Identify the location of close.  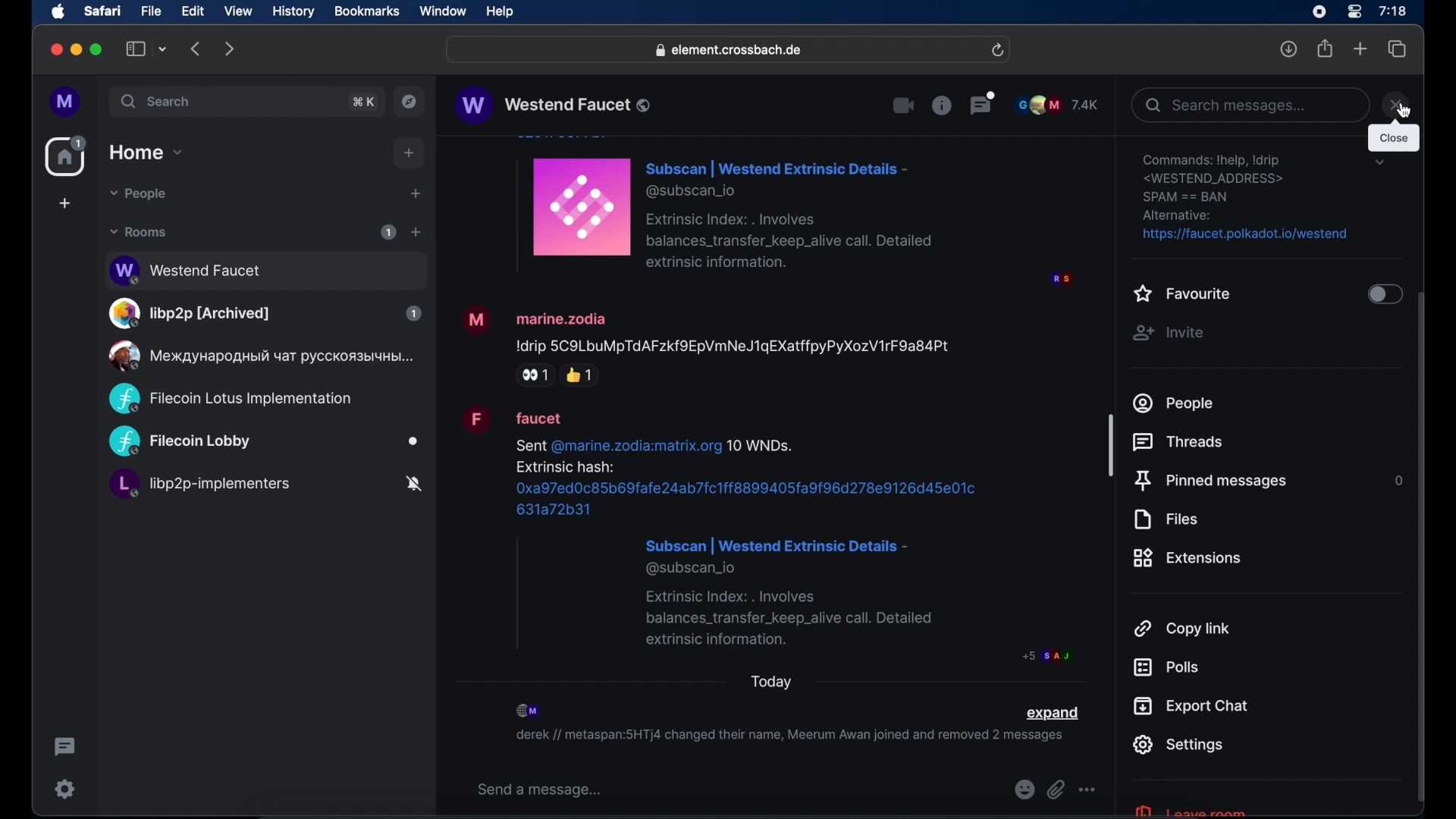
(55, 50).